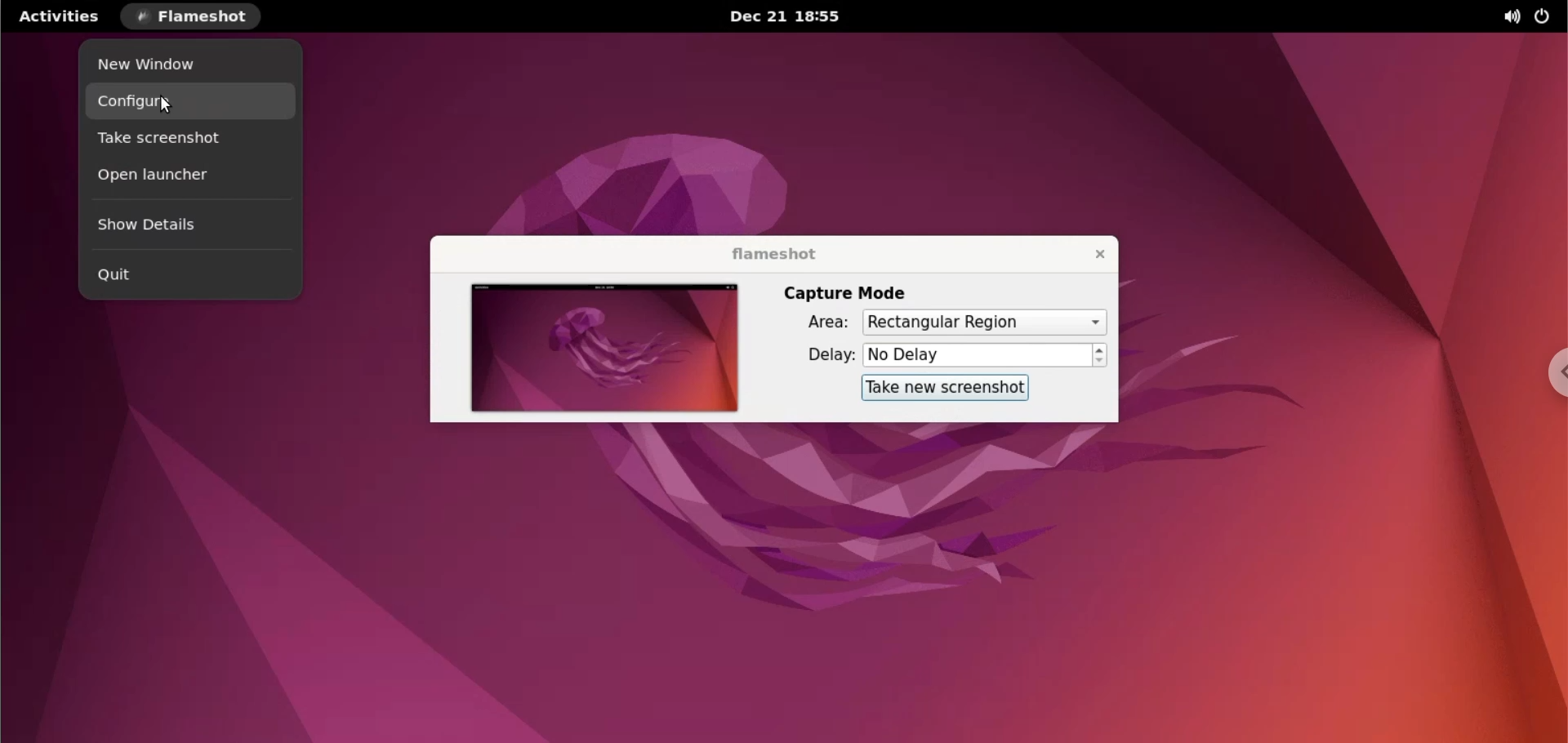  Describe the element at coordinates (596, 349) in the screenshot. I see `screenshot preview` at that location.